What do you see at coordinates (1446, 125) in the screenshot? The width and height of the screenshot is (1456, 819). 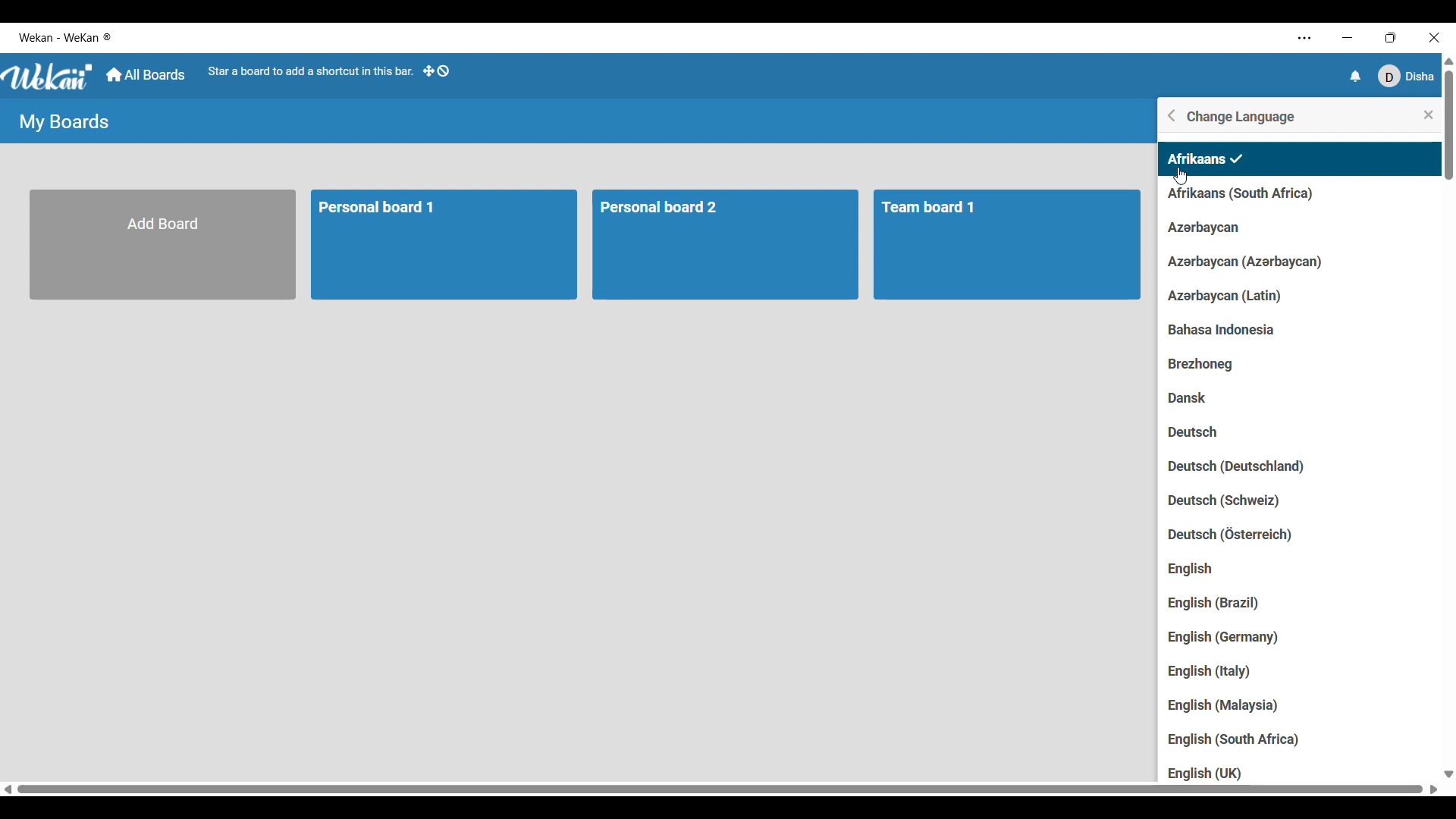 I see `vertical side bar` at bounding box center [1446, 125].